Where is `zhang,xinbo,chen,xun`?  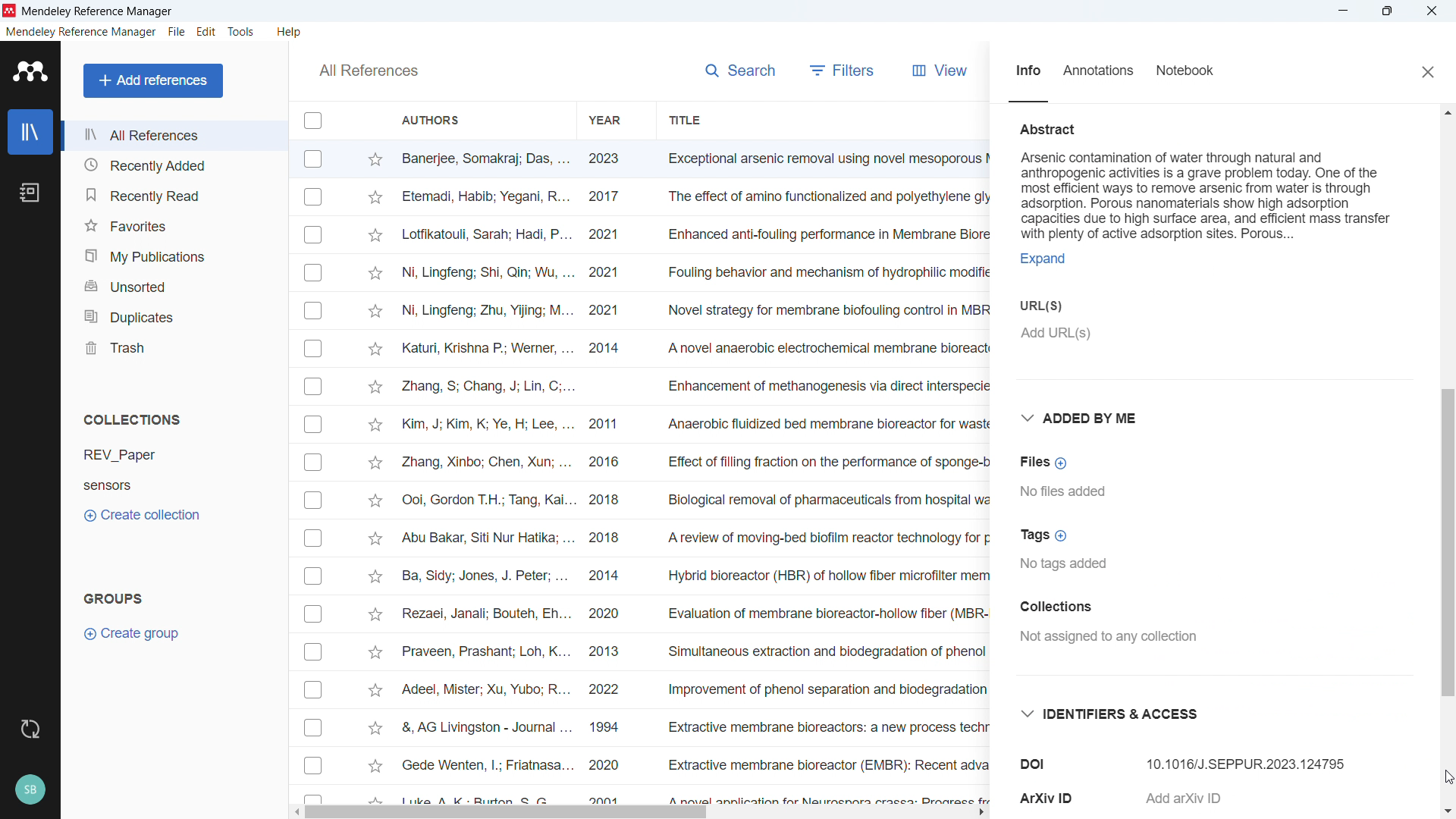 zhang,xinbo,chen,xun is located at coordinates (485, 463).